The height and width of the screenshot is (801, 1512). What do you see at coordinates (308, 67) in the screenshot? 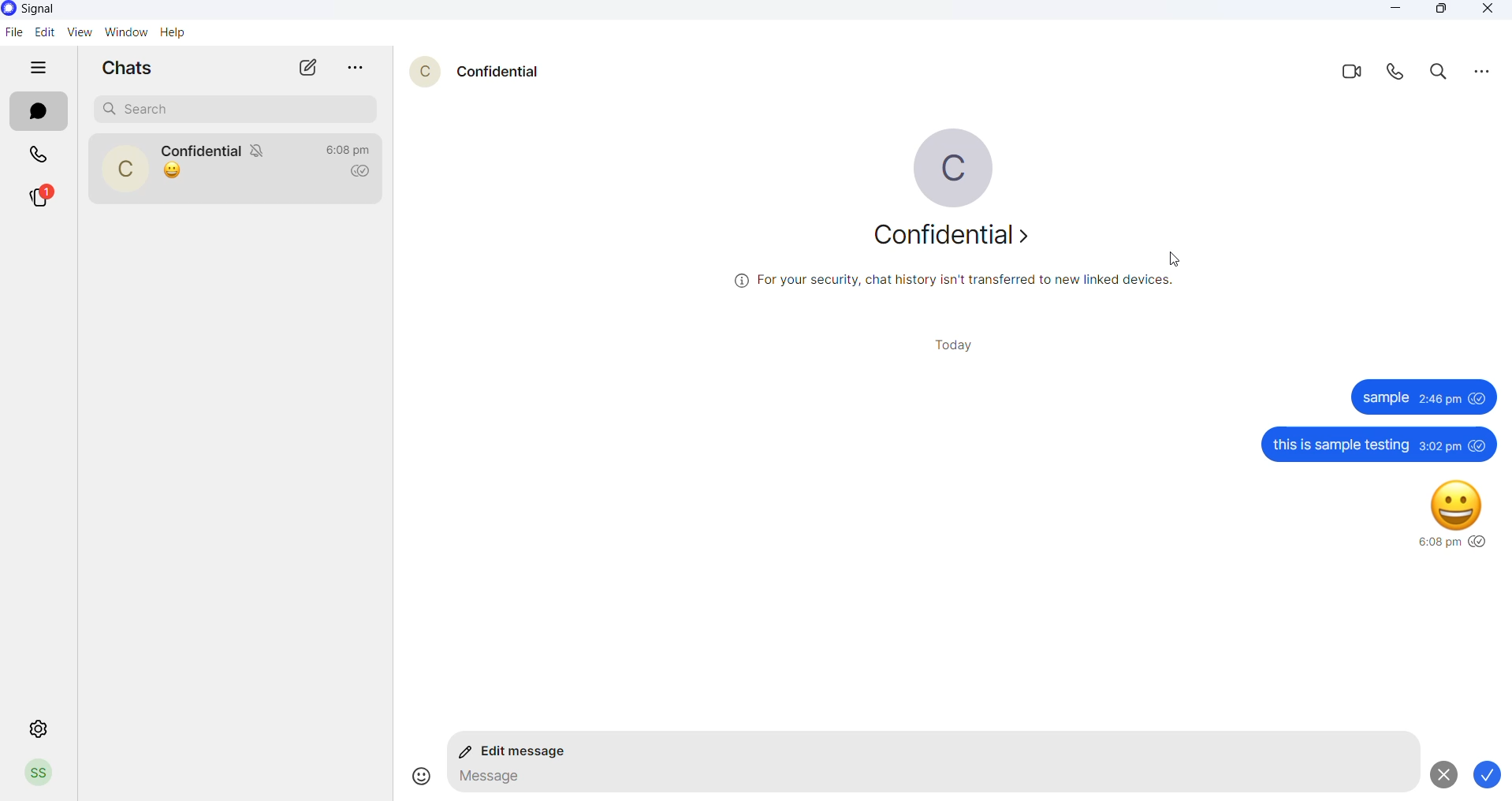
I see `new chat` at bounding box center [308, 67].